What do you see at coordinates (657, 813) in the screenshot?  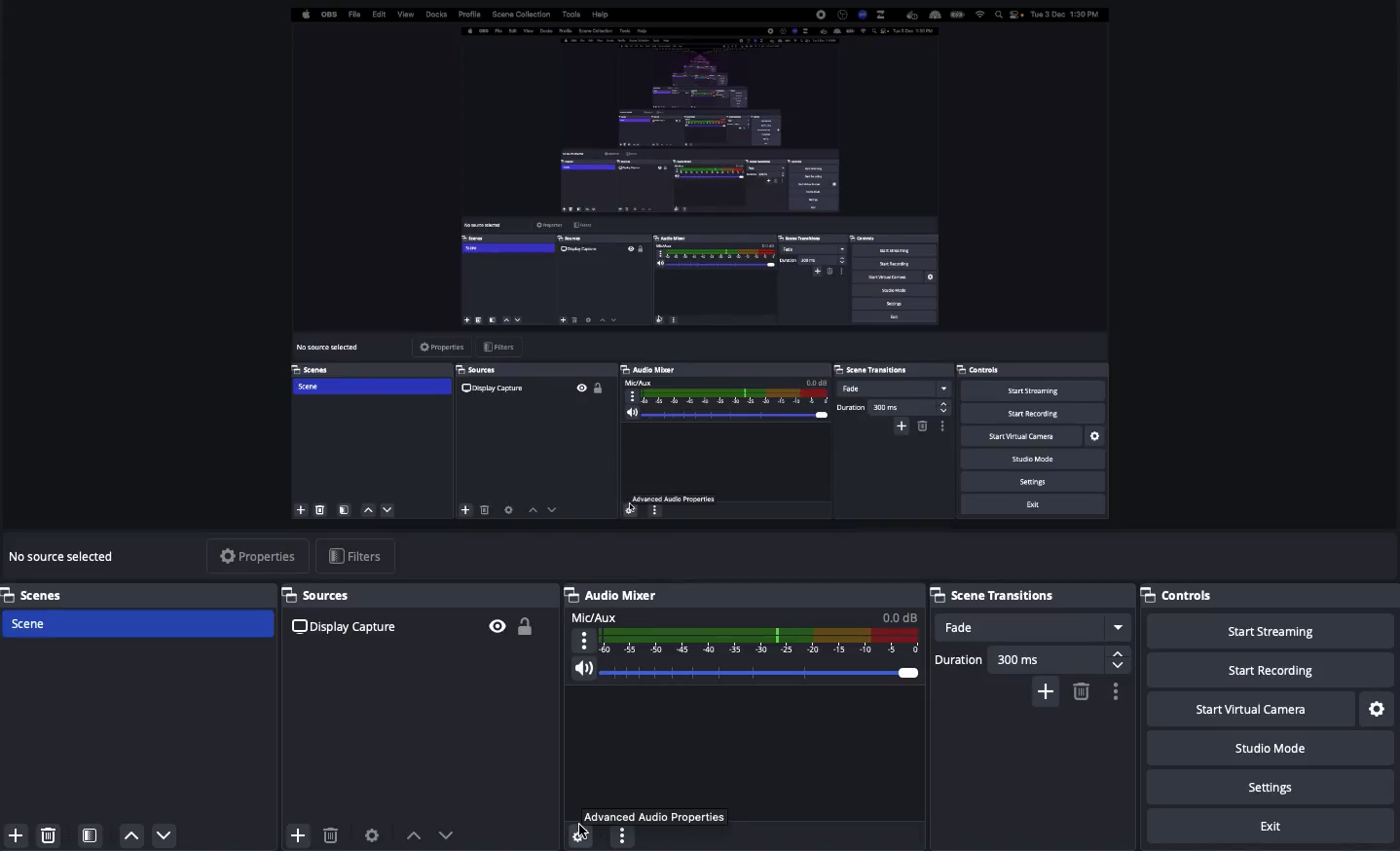 I see `Advanced audio properties` at bounding box center [657, 813].